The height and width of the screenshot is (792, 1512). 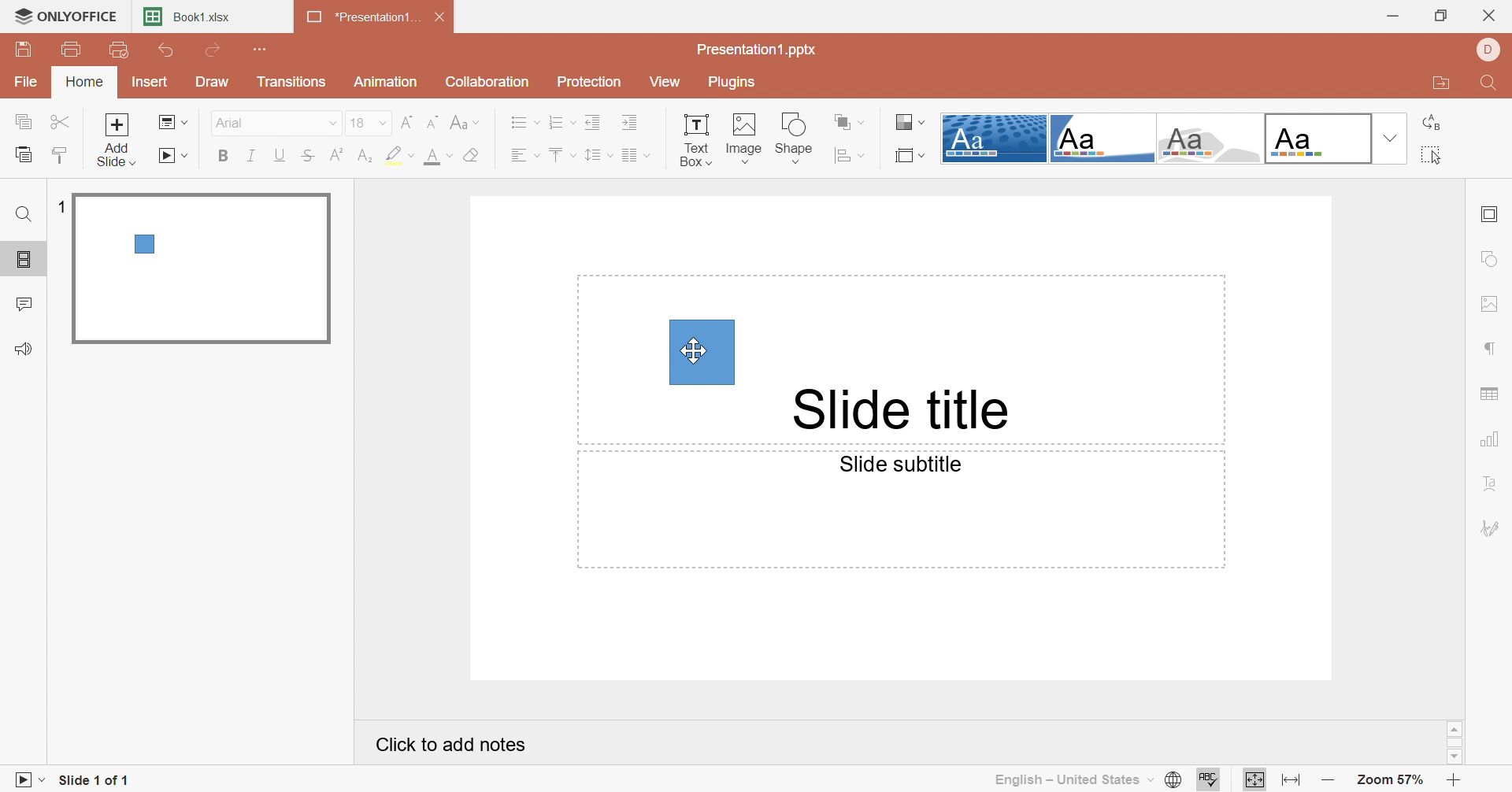 What do you see at coordinates (120, 51) in the screenshot?
I see `Quick print` at bounding box center [120, 51].